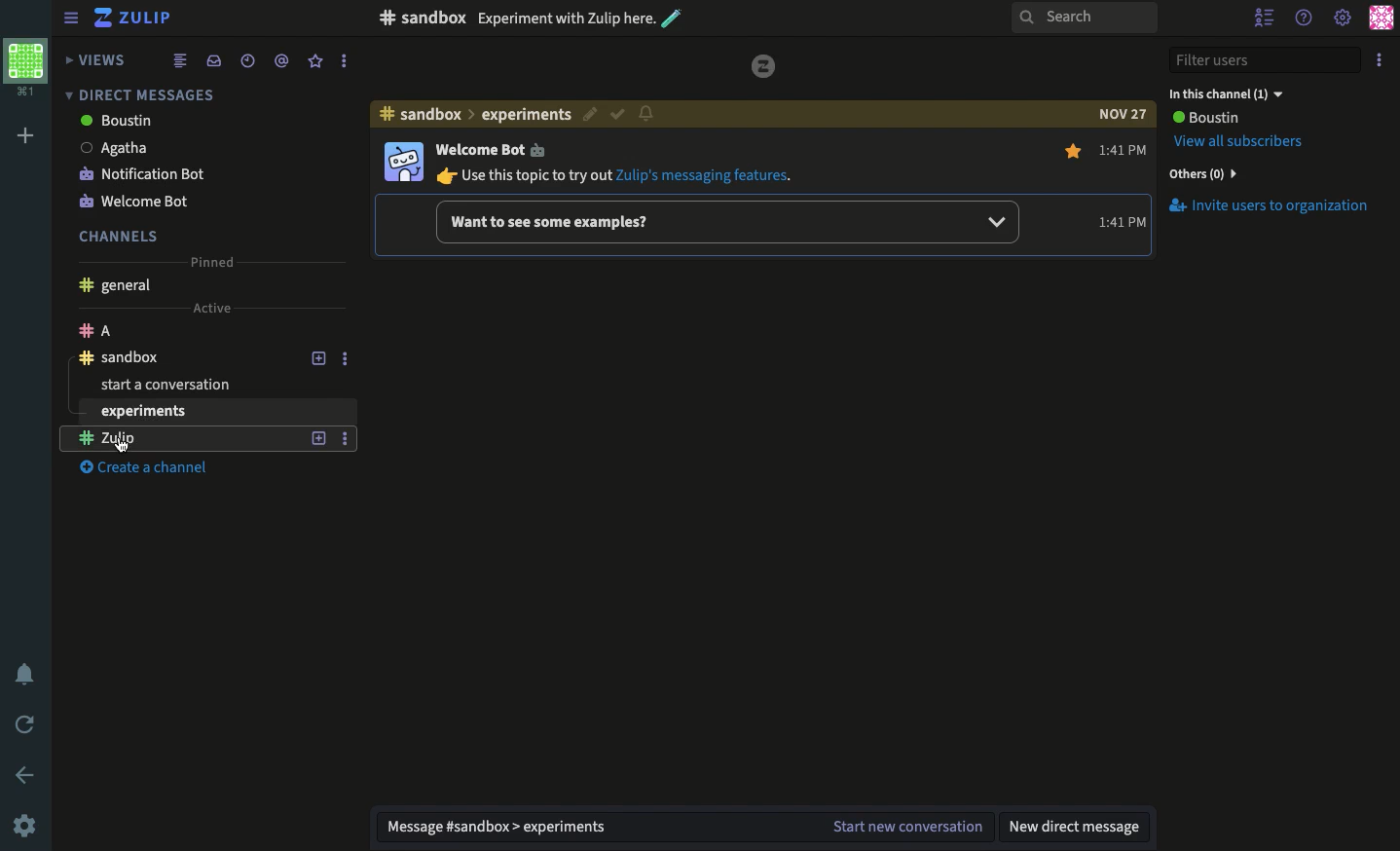  What do you see at coordinates (182, 122) in the screenshot?
I see `boustin` at bounding box center [182, 122].